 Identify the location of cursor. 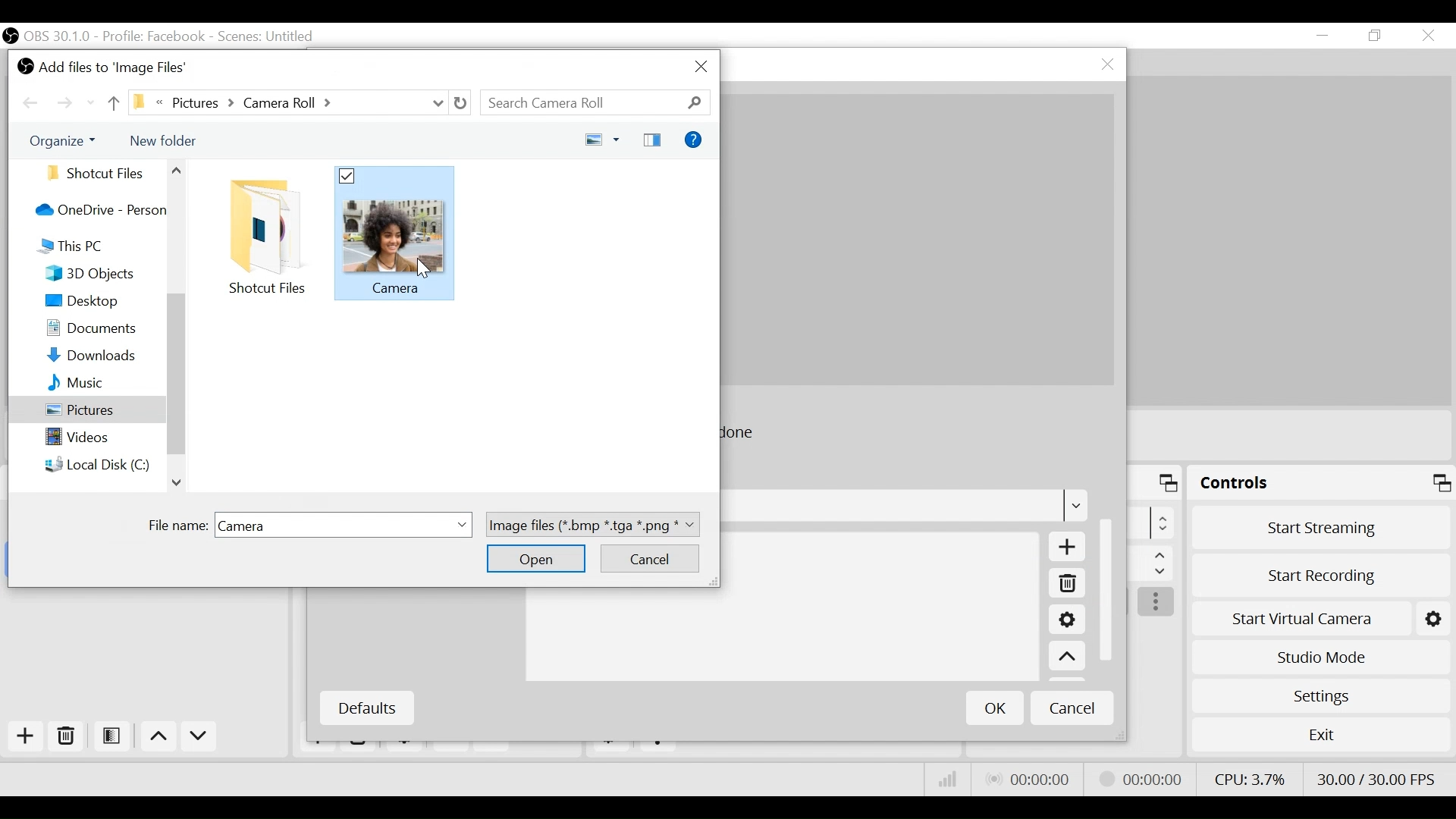
(422, 272).